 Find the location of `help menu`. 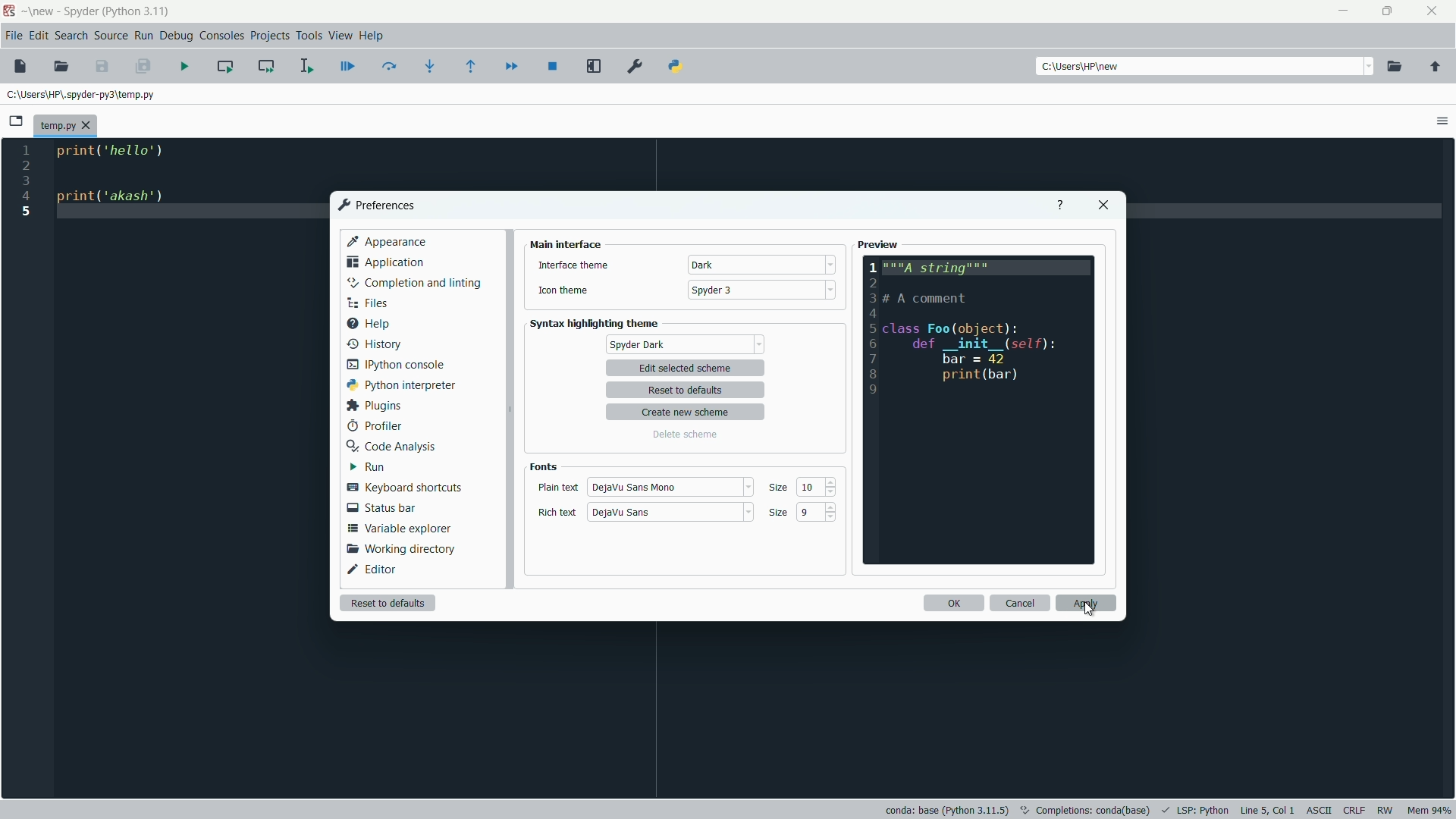

help menu is located at coordinates (372, 36).